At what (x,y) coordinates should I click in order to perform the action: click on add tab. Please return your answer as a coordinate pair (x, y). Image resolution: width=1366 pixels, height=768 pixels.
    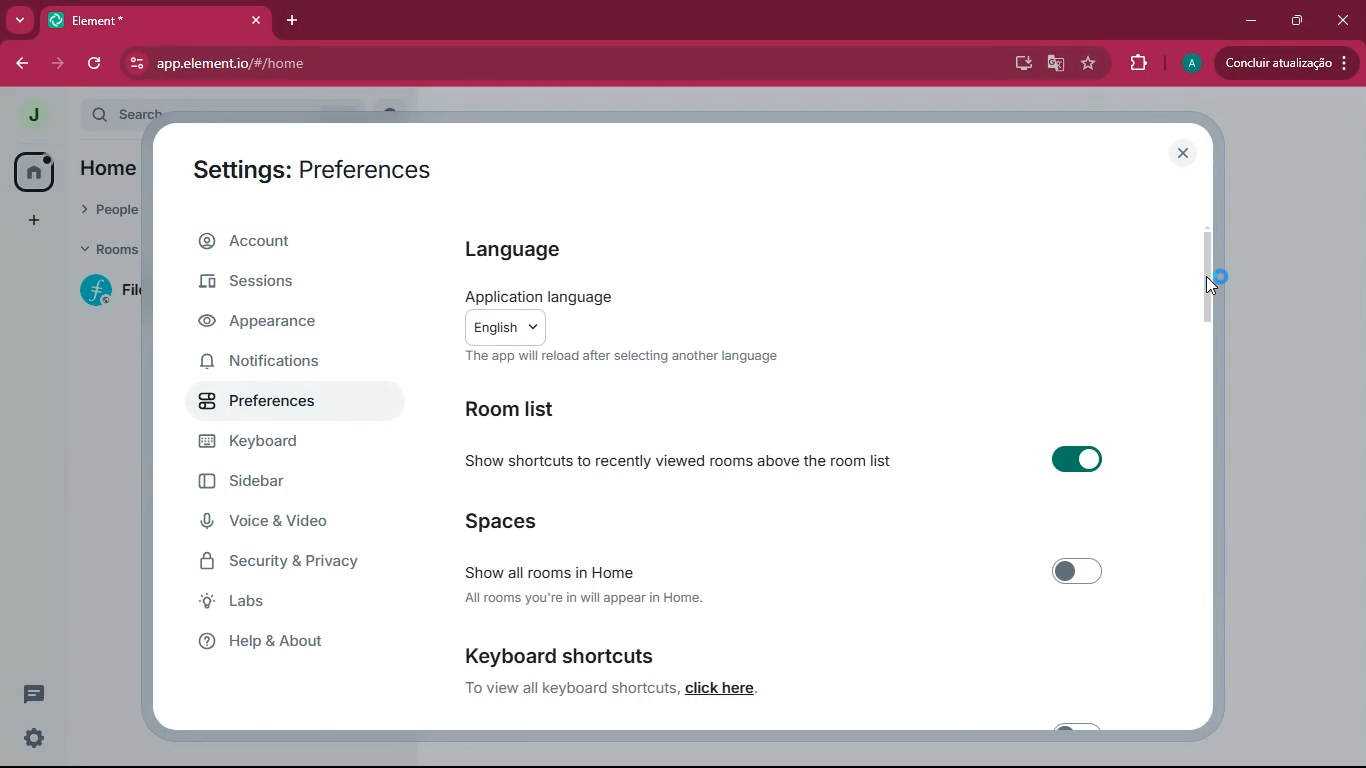
    Looking at the image, I should click on (294, 20).